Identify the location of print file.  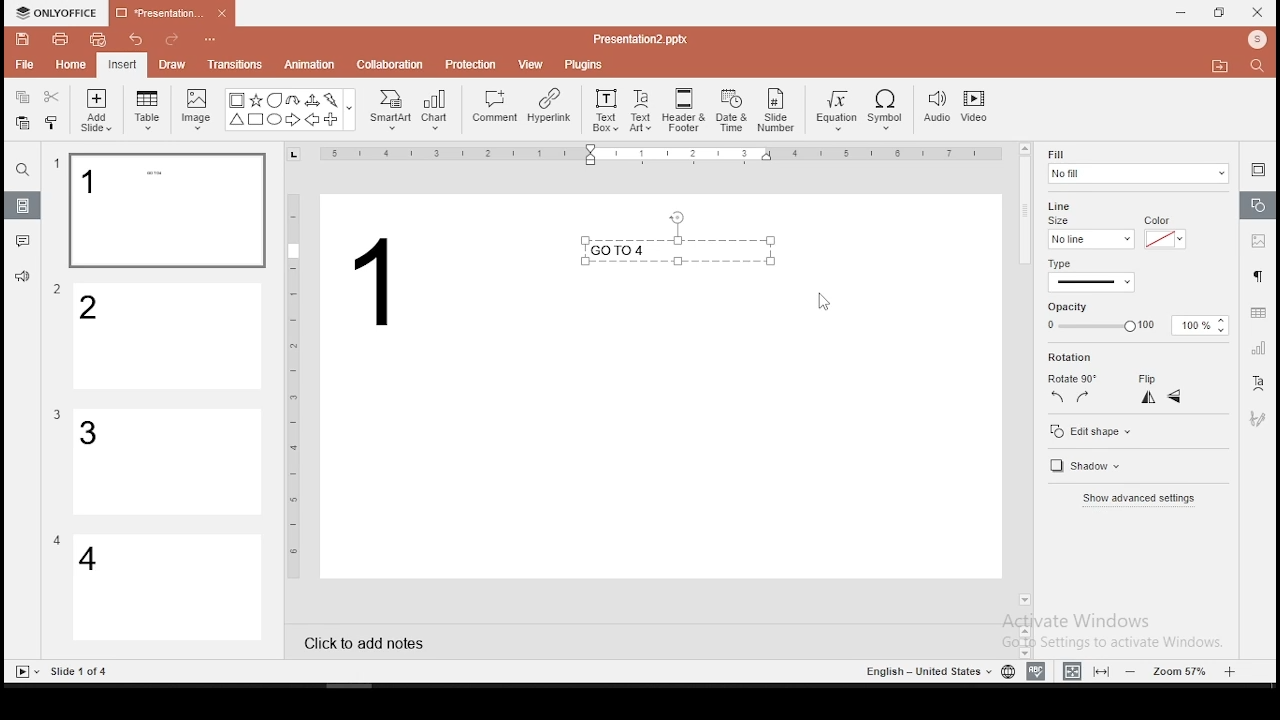
(60, 37).